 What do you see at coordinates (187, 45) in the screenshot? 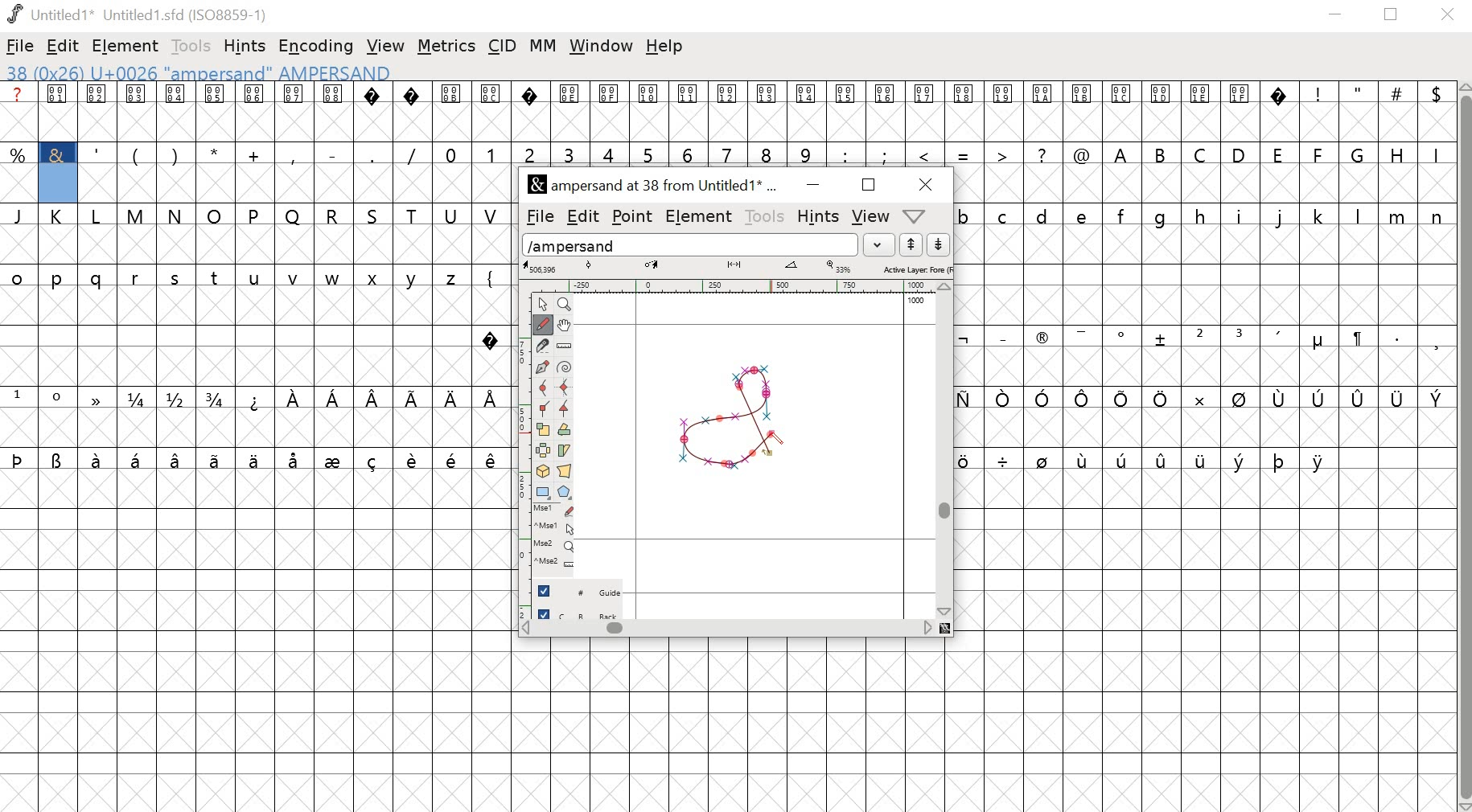
I see `tools` at bounding box center [187, 45].